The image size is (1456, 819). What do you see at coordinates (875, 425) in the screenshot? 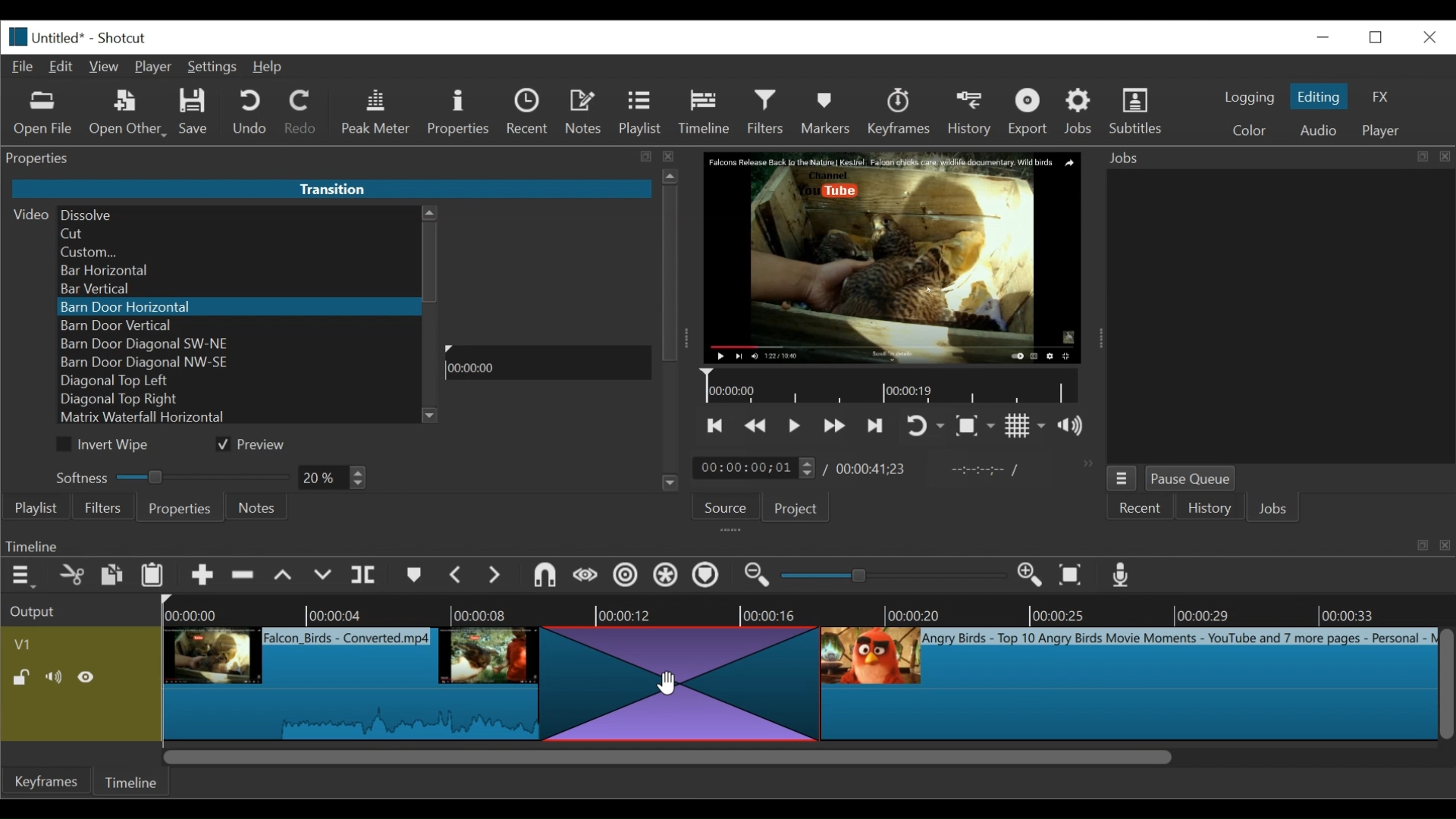
I see `Skip to the next point` at bounding box center [875, 425].